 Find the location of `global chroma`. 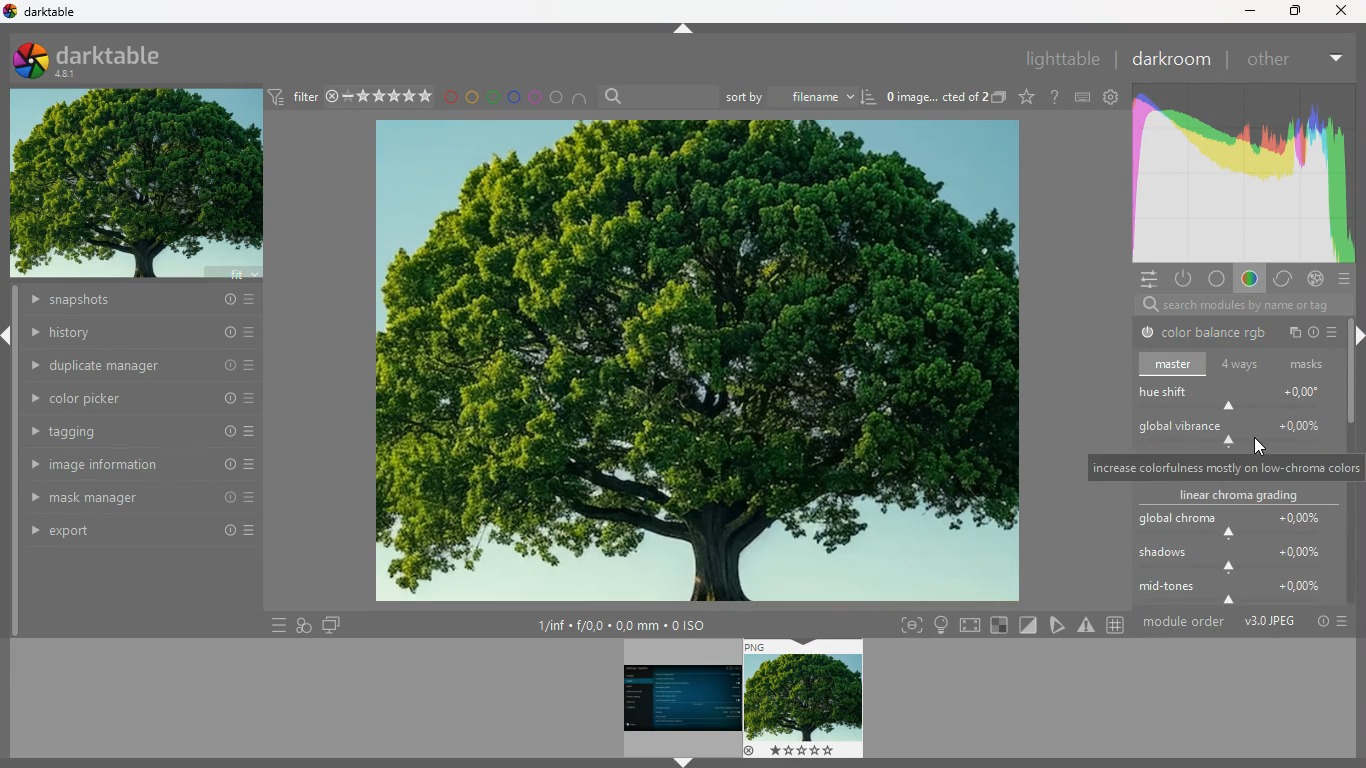

global chroma is located at coordinates (1231, 524).